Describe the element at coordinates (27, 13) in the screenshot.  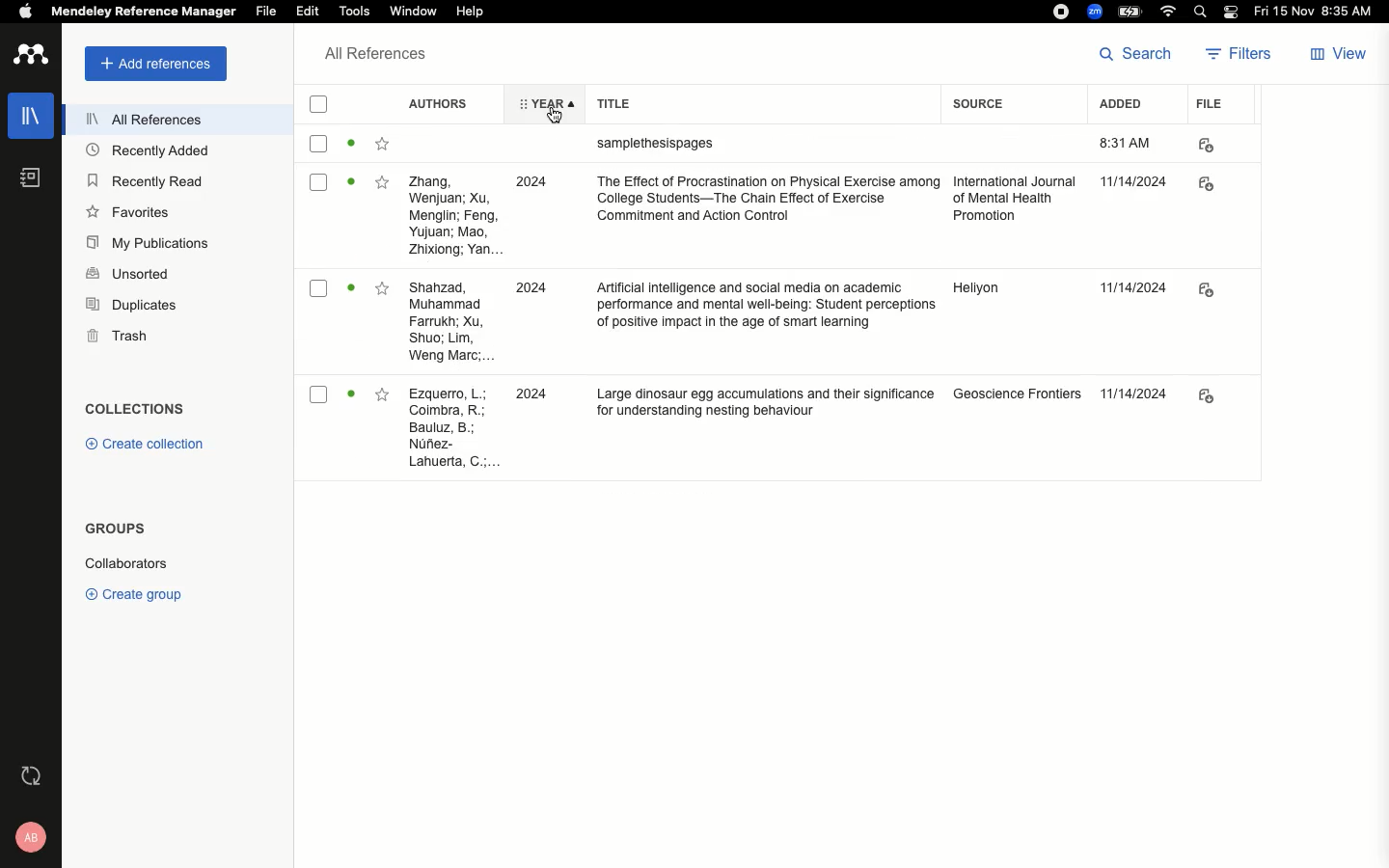
I see `Apple logo` at that location.